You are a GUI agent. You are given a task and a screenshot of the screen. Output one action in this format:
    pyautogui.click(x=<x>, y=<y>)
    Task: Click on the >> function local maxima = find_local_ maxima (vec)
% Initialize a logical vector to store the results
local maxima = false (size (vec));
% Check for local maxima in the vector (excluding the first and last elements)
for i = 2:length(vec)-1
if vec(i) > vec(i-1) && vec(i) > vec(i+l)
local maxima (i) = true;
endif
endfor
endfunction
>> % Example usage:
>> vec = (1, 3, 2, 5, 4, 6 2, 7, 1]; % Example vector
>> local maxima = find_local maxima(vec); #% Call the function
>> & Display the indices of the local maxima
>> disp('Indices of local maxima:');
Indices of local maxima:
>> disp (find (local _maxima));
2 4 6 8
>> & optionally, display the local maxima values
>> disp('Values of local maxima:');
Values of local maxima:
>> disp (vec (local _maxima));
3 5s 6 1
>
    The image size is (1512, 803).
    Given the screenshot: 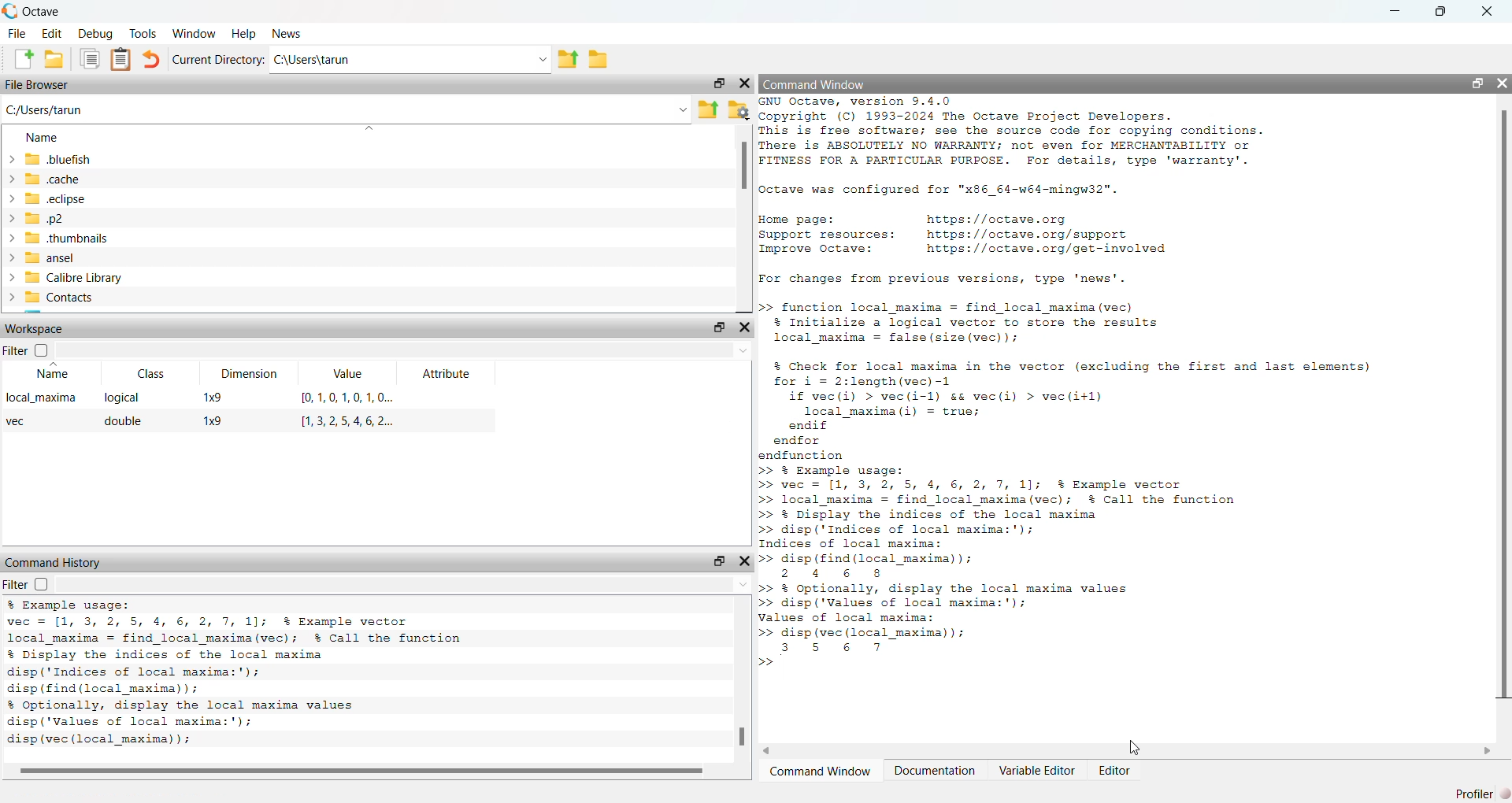 What is the action you would take?
    pyautogui.click(x=1067, y=487)
    